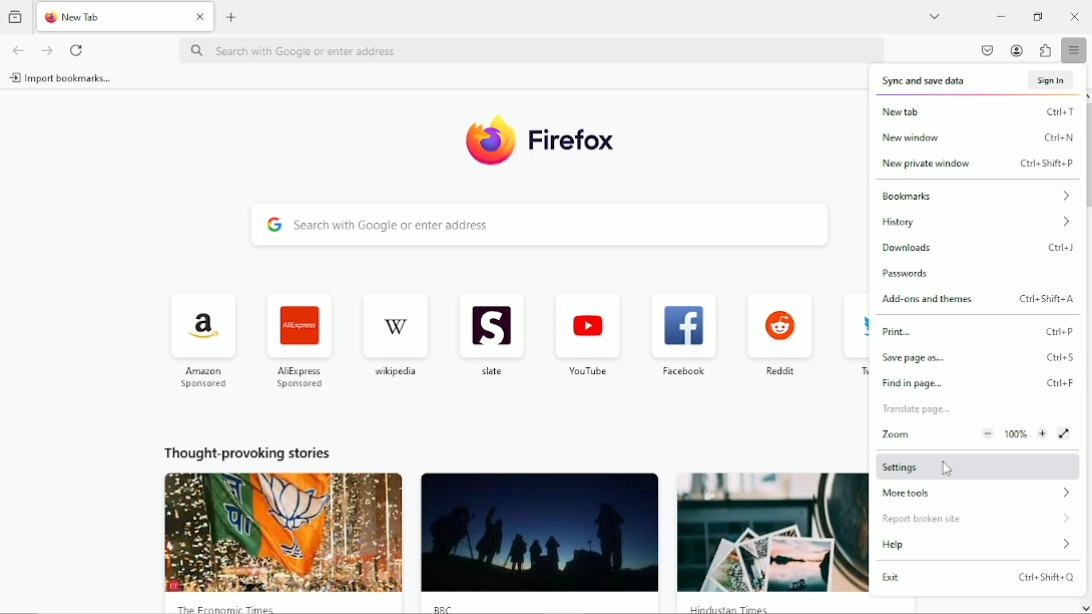 This screenshot has height=614, width=1092. I want to click on amazon, so click(201, 318).